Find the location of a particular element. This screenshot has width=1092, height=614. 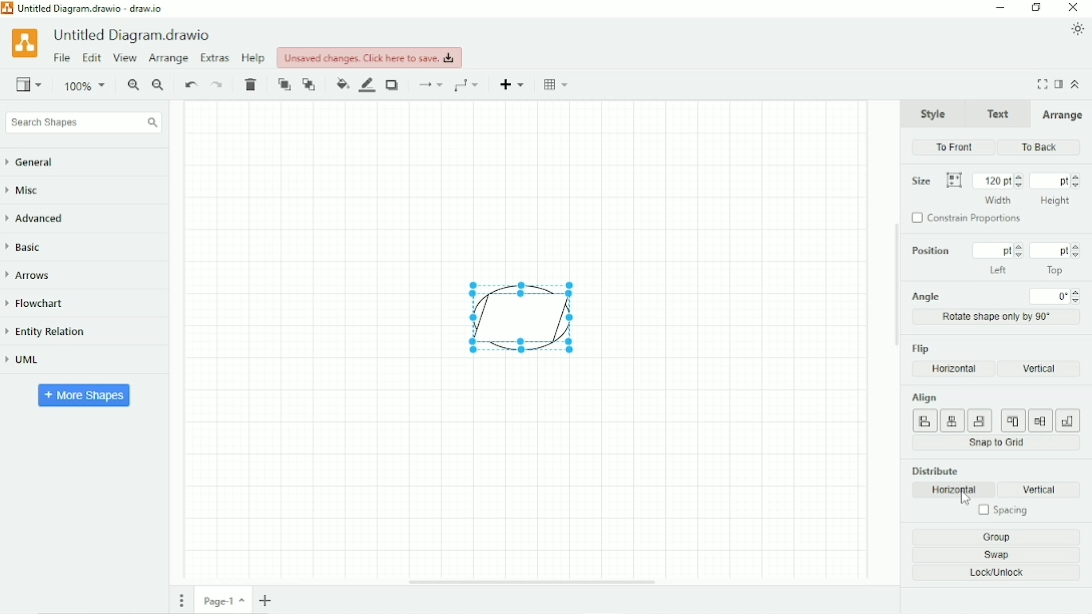

Format is located at coordinates (1059, 84).